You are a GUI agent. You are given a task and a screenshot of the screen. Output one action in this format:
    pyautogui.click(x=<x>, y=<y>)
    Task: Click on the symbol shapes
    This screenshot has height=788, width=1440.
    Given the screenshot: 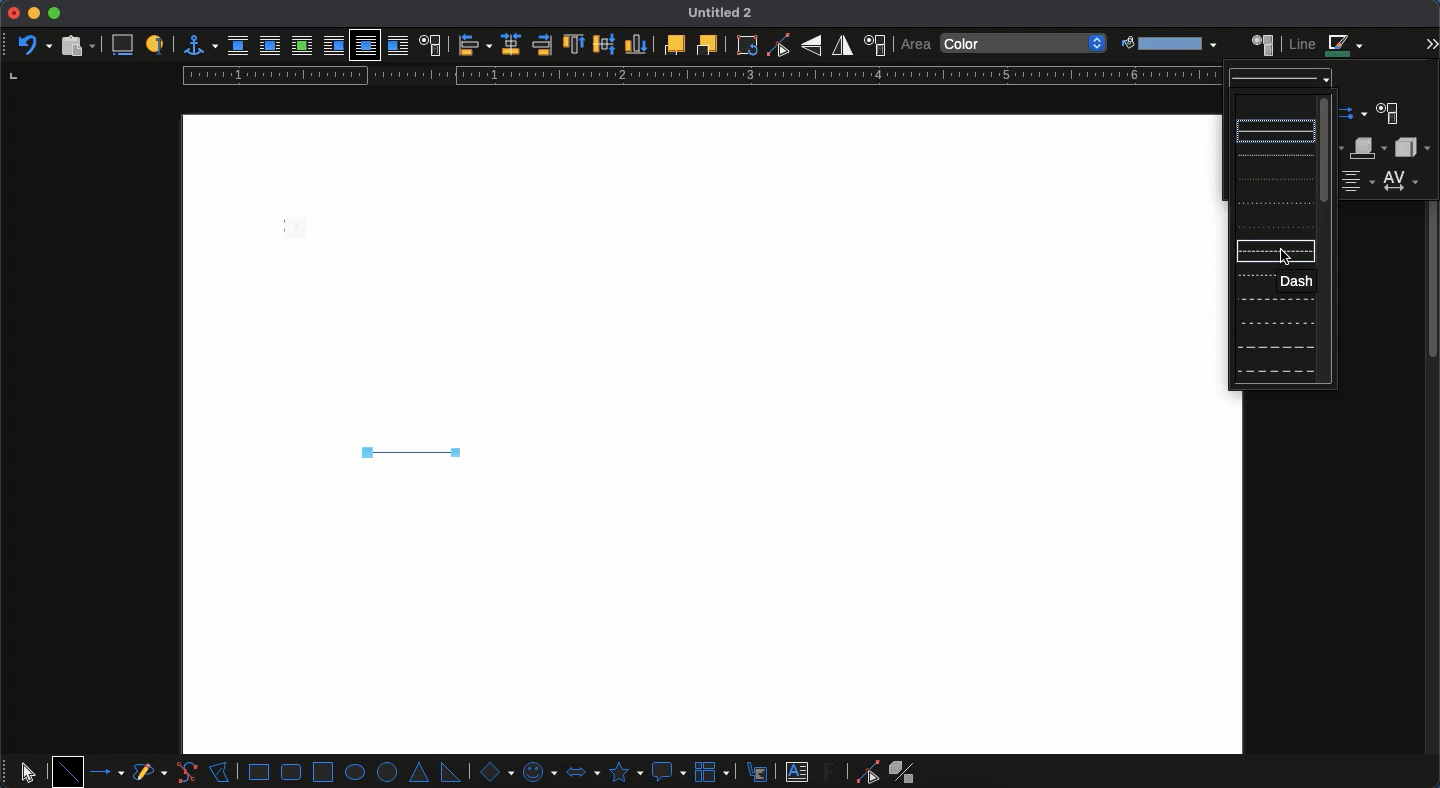 What is the action you would take?
    pyautogui.click(x=538, y=771)
    